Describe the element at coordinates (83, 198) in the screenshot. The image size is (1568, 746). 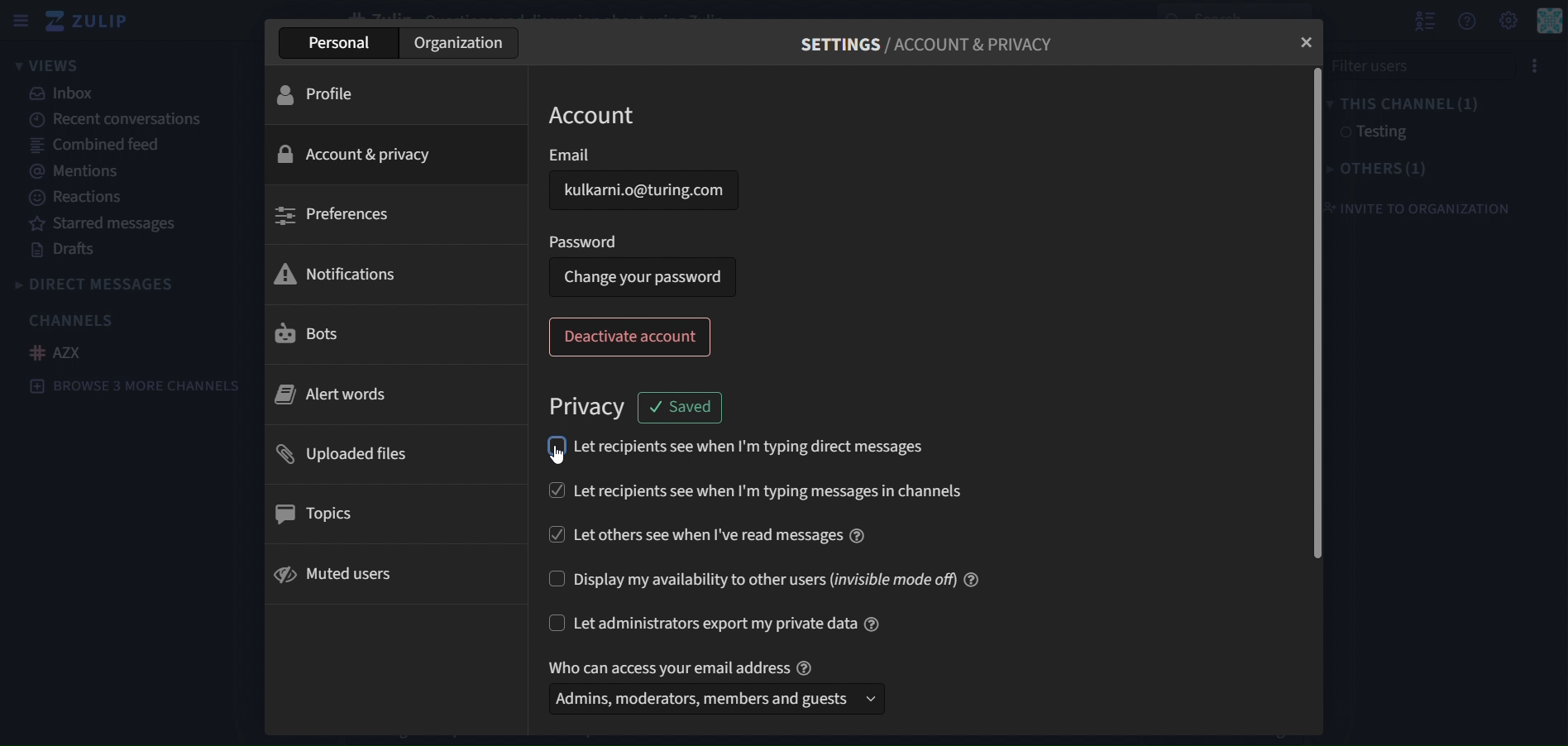
I see `reactions` at that location.